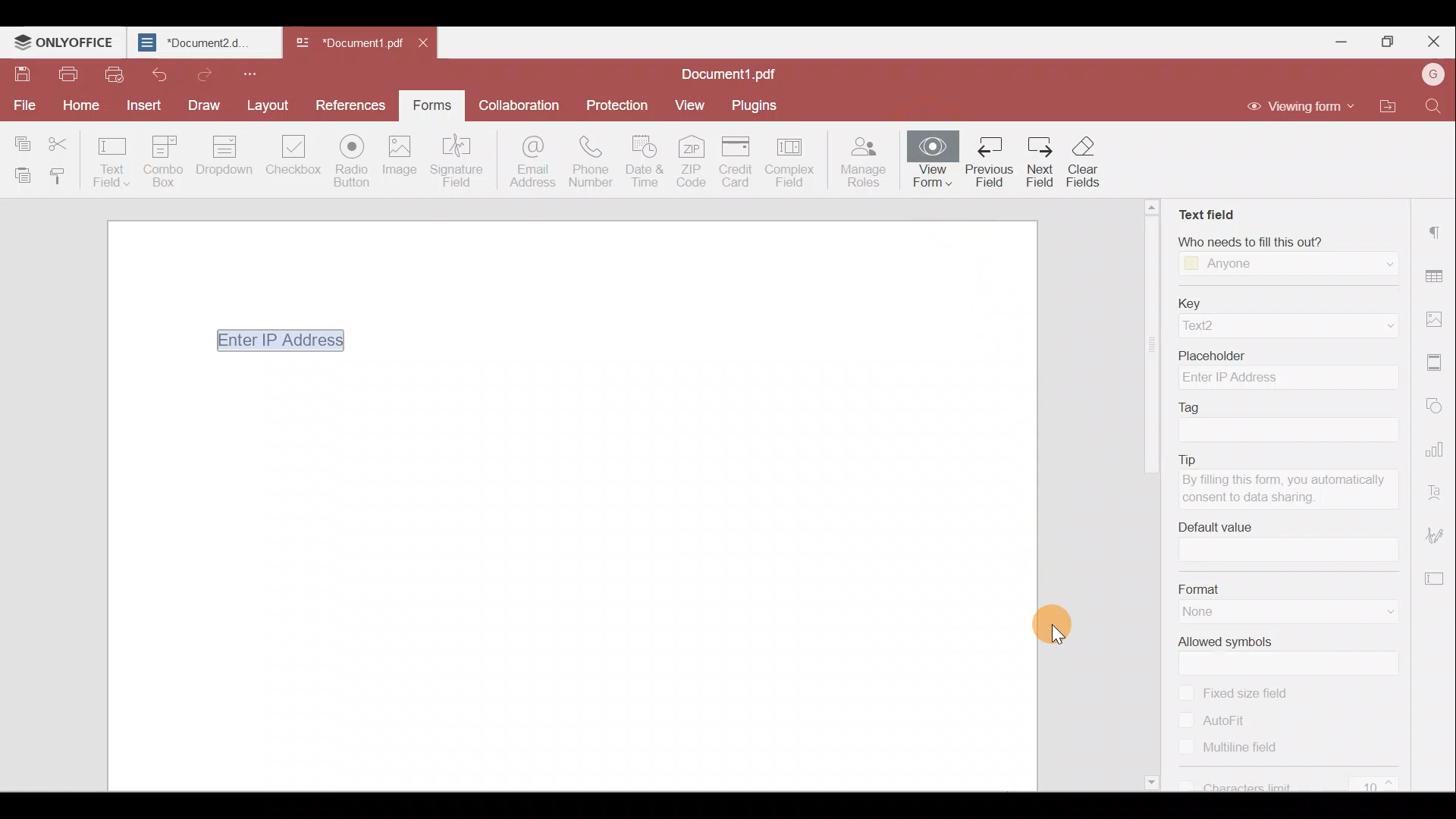  I want to click on Find, so click(1432, 108).